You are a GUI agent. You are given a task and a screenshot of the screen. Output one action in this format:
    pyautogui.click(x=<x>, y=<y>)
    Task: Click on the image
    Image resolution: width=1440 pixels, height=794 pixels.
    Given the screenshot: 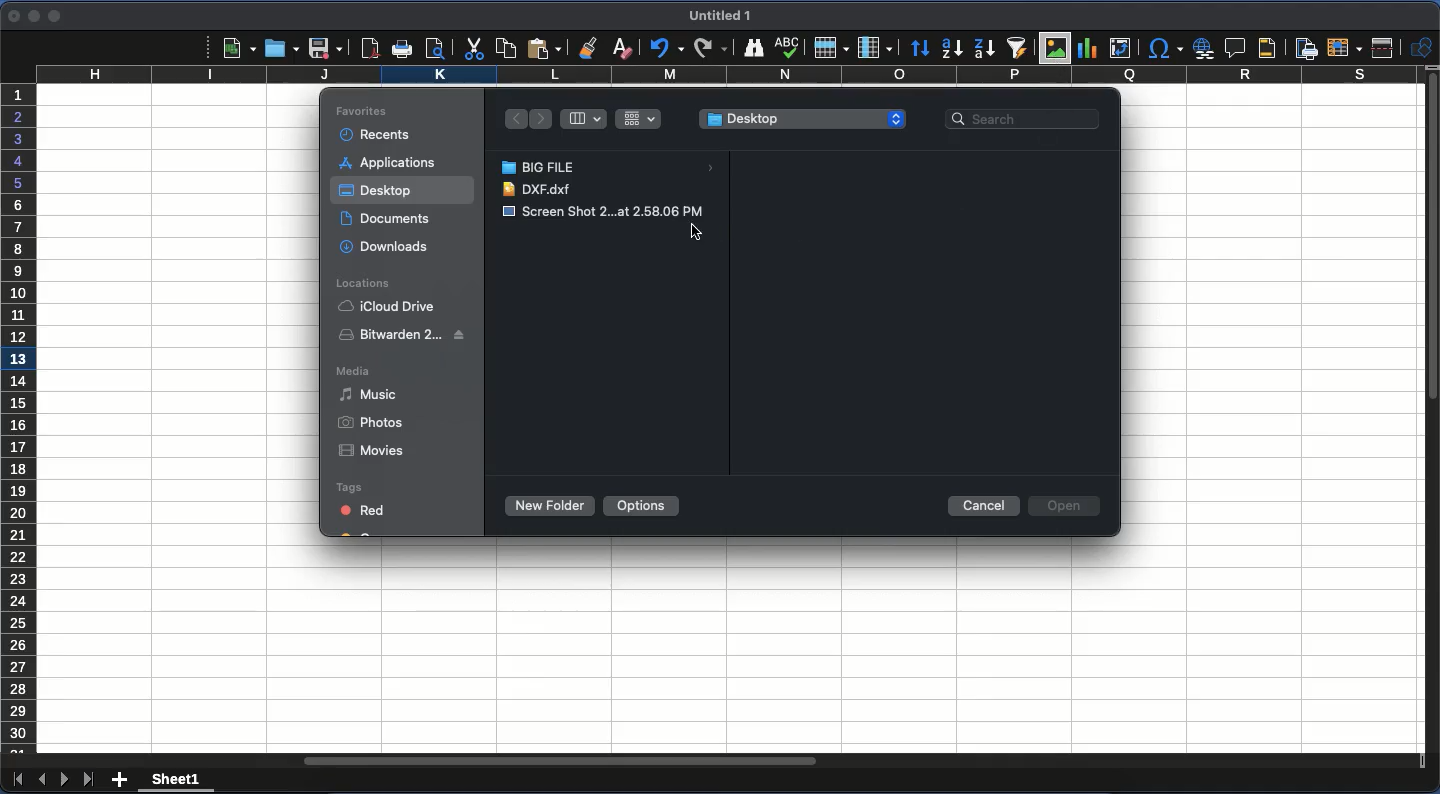 What is the action you would take?
    pyautogui.click(x=603, y=211)
    